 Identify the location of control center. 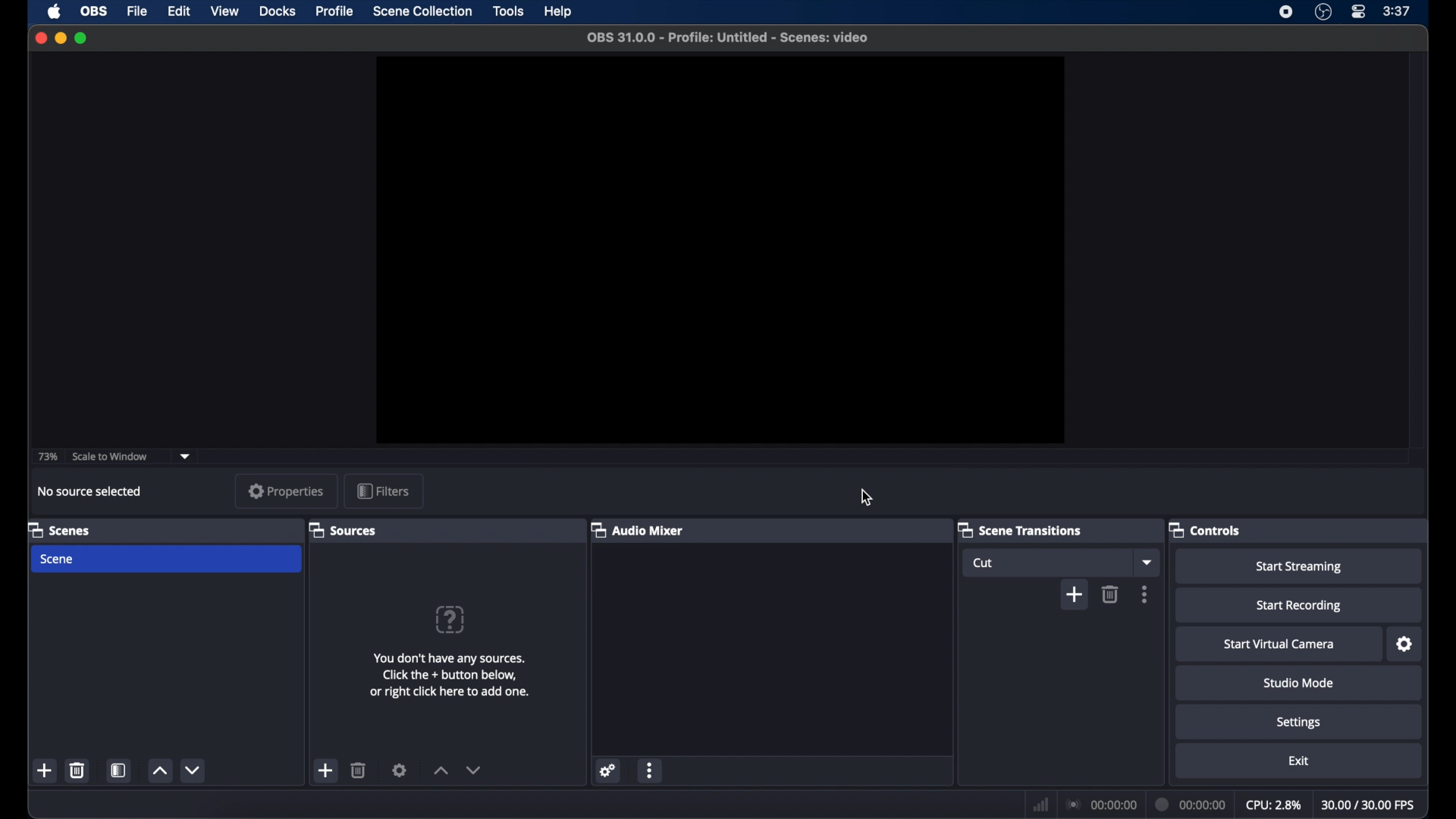
(1357, 12).